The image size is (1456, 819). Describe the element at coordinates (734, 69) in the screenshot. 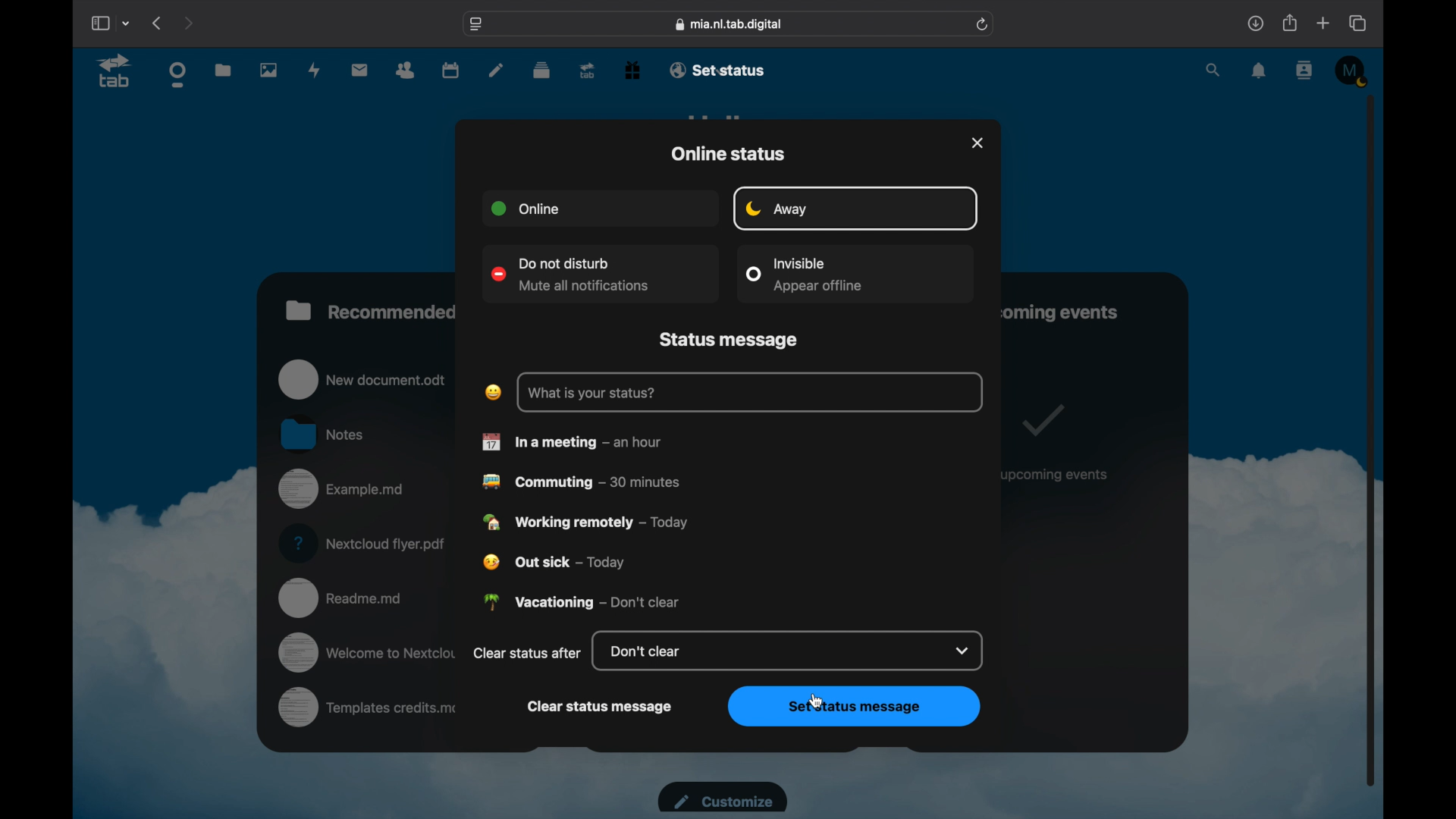

I see `set status` at that location.